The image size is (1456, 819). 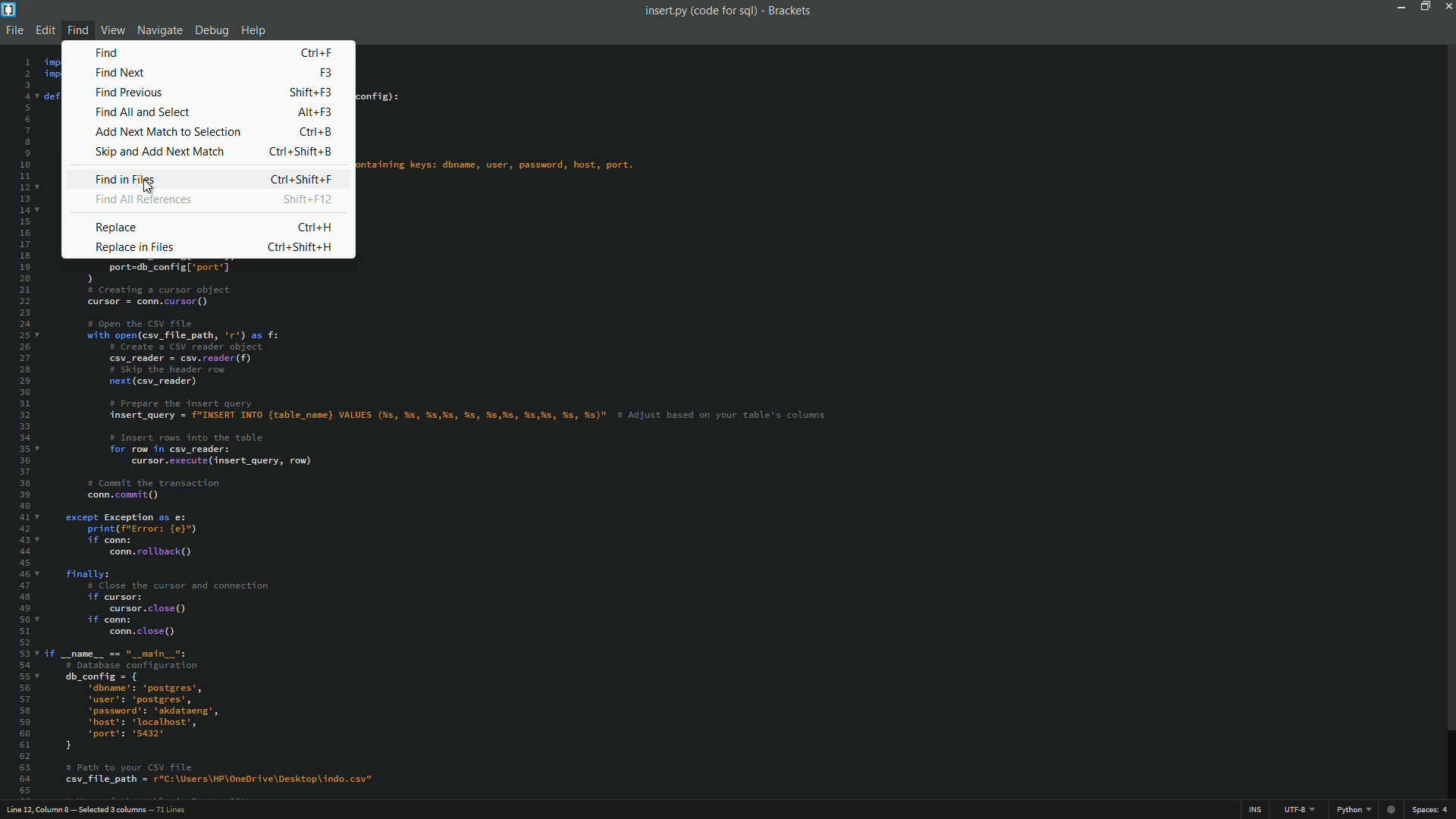 I want to click on find menu, so click(x=76, y=30).